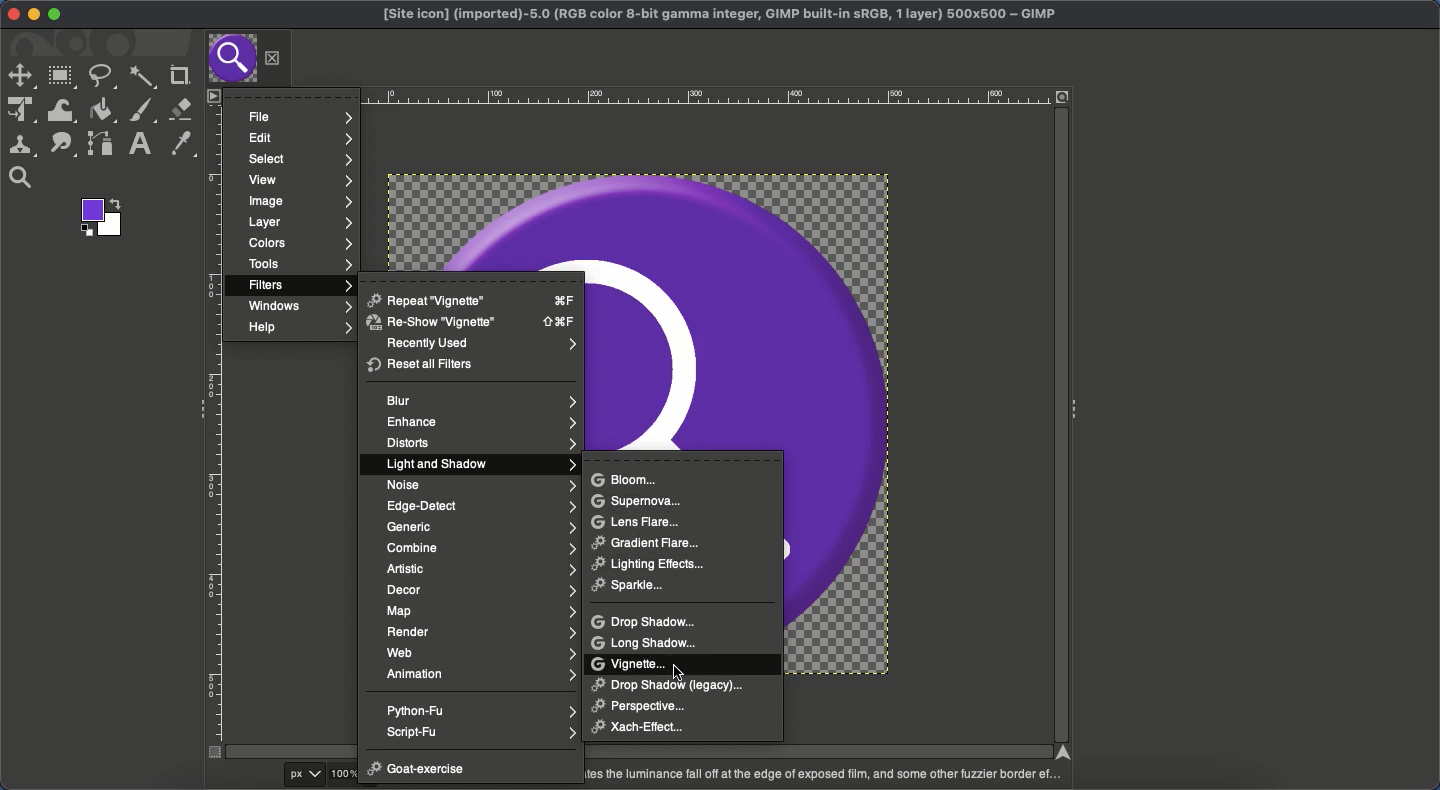  What do you see at coordinates (636, 501) in the screenshot?
I see `Supemova` at bounding box center [636, 501].